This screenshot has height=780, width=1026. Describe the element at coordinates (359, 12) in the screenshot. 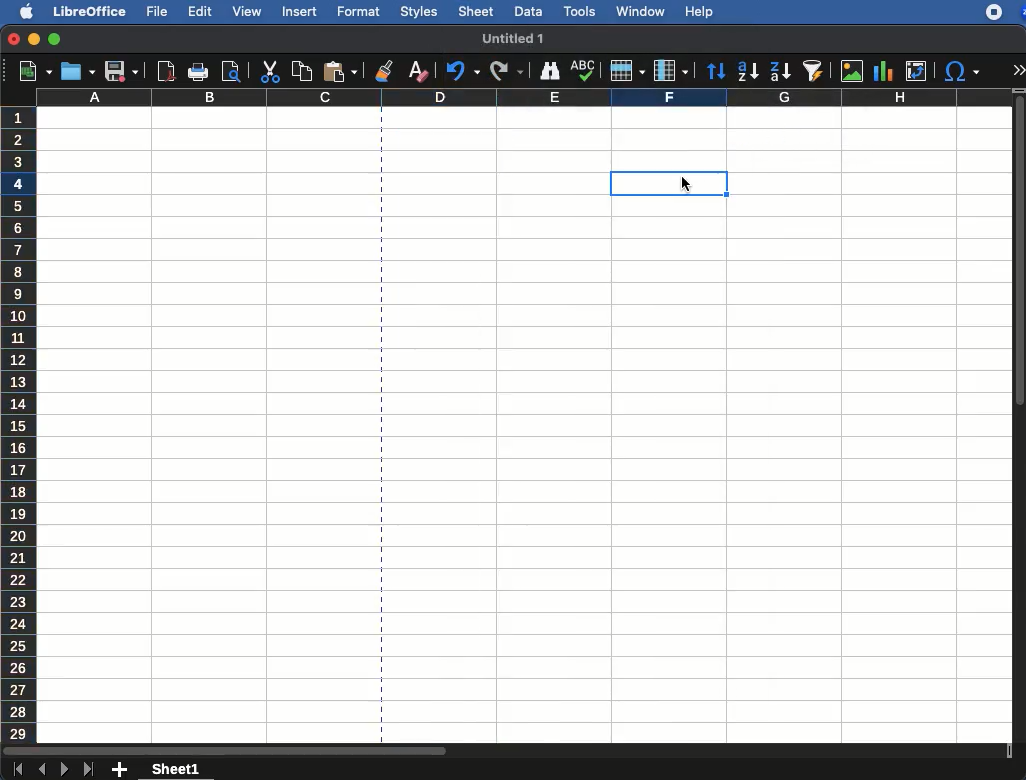

I see `format` at that location.